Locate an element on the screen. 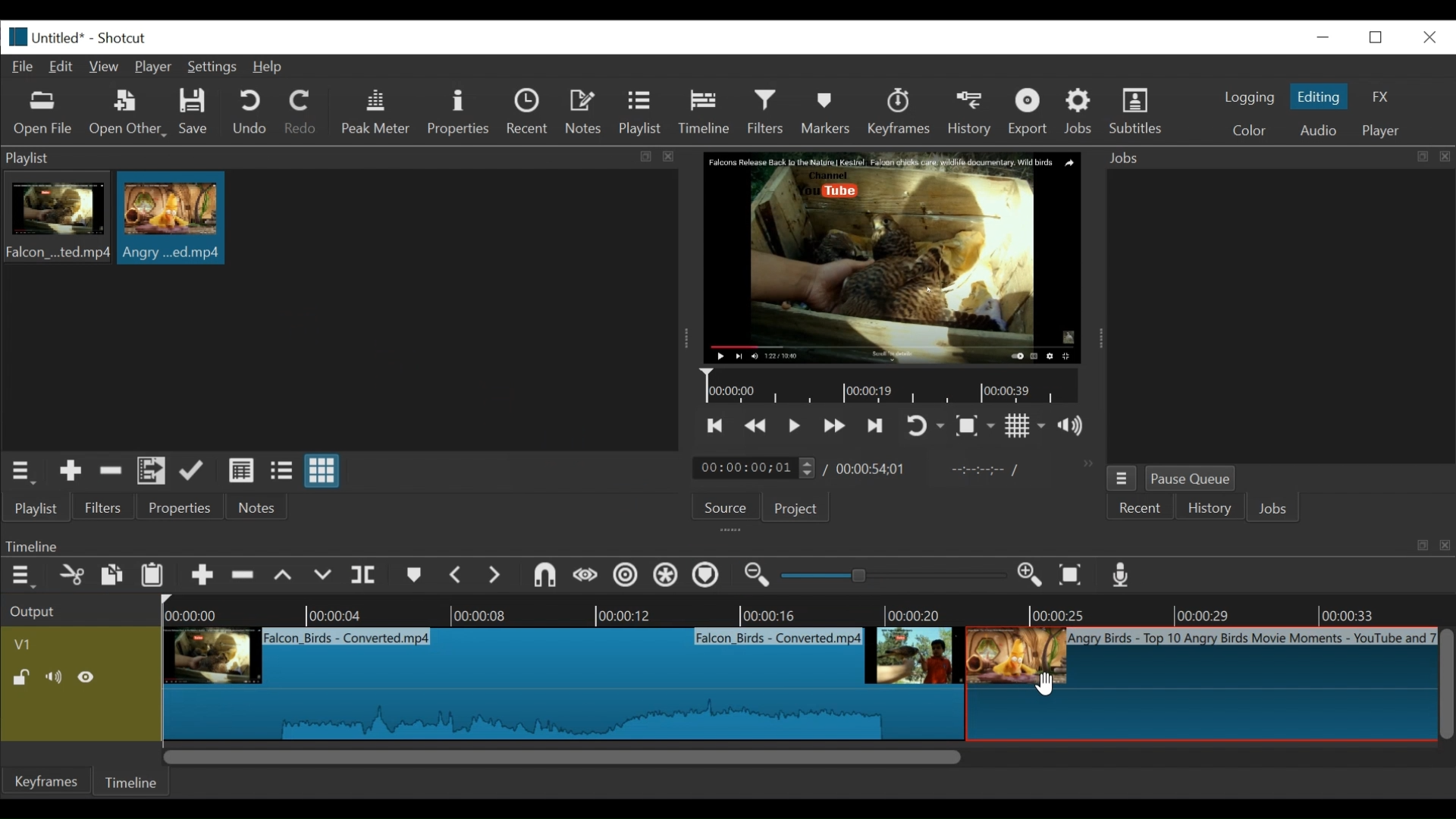 This screenshot has width=1456, height=819. Source is located at coordinates (720, 510).